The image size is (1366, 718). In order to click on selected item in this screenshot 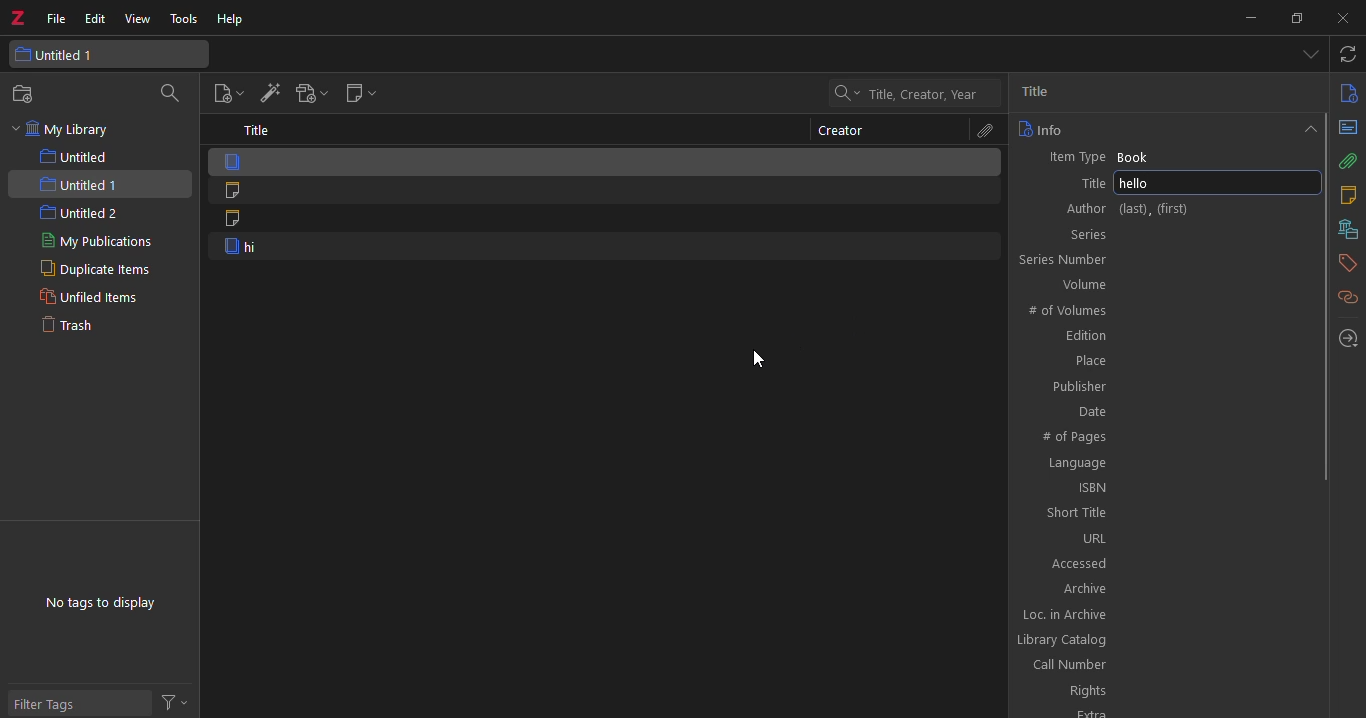, I will do `click(606, 161)`.